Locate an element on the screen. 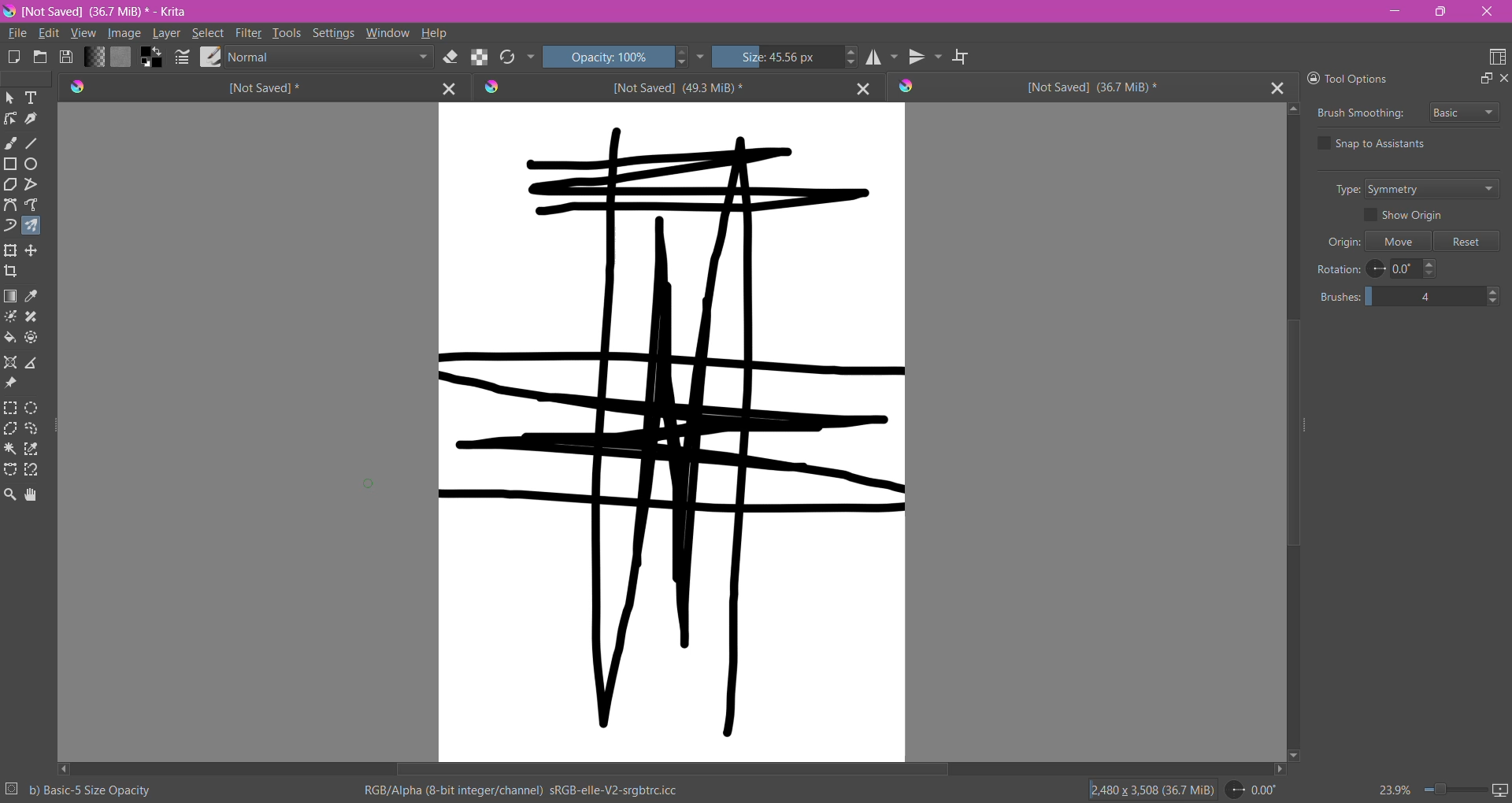 This screenshot has width=1512, height=803. Set Opacity of the Brush is located at coordinates (606, 58).